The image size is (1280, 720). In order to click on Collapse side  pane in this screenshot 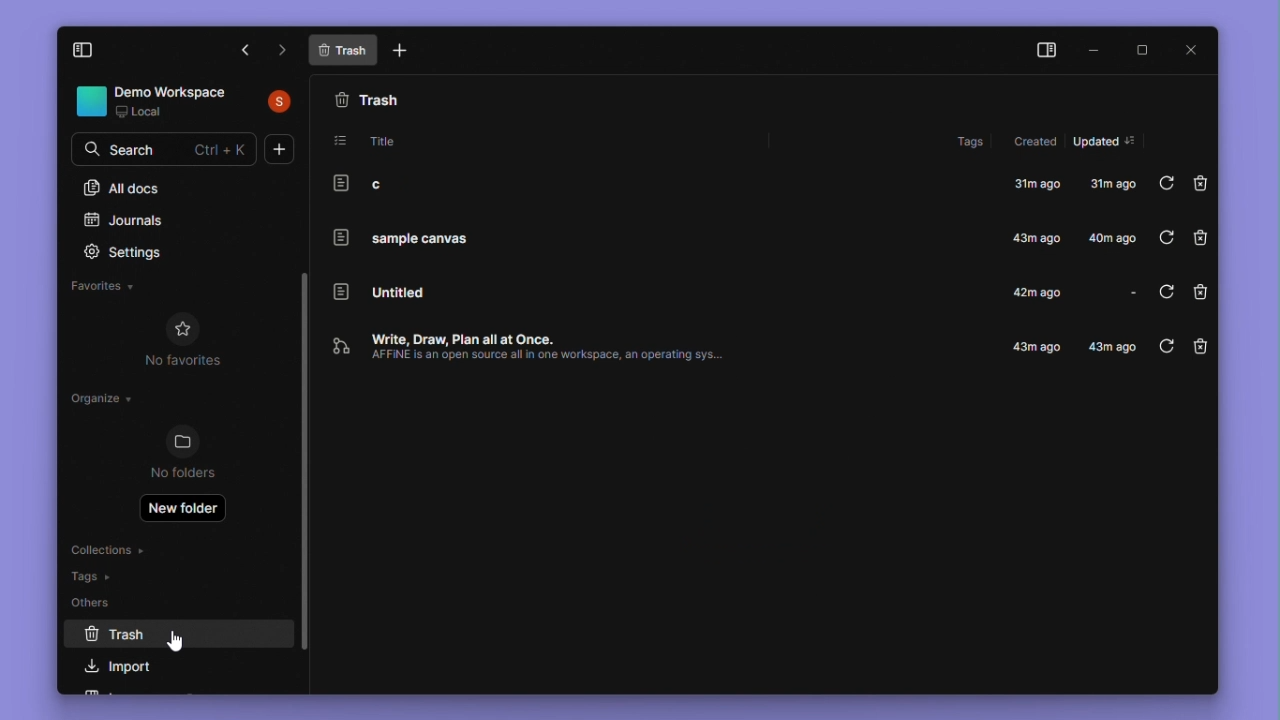, I will do `click(82, 52)`.